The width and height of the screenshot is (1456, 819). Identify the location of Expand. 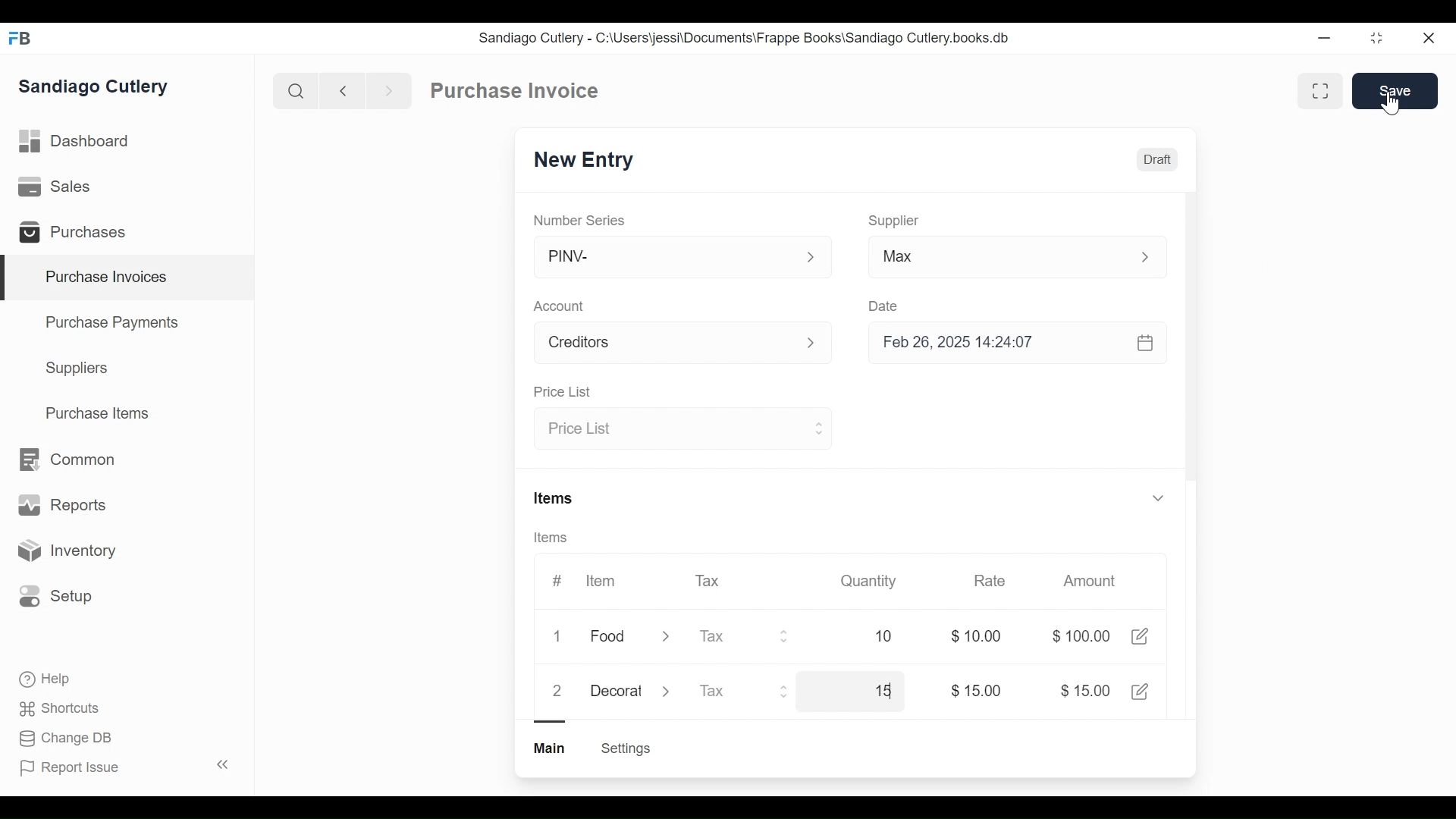
(820, 344).